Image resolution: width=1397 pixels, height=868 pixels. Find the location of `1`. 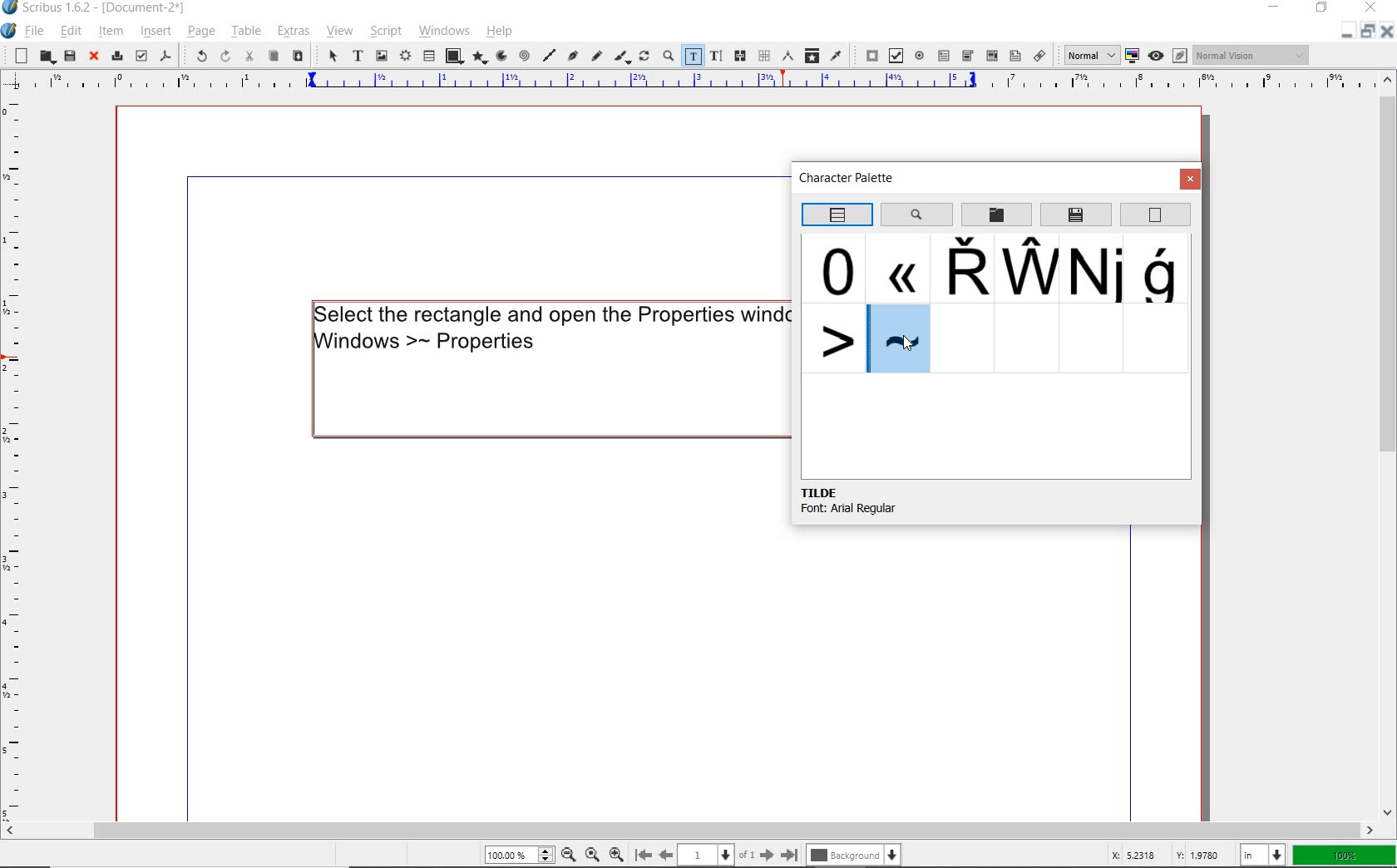

1 is located at coordinates (706, 852).